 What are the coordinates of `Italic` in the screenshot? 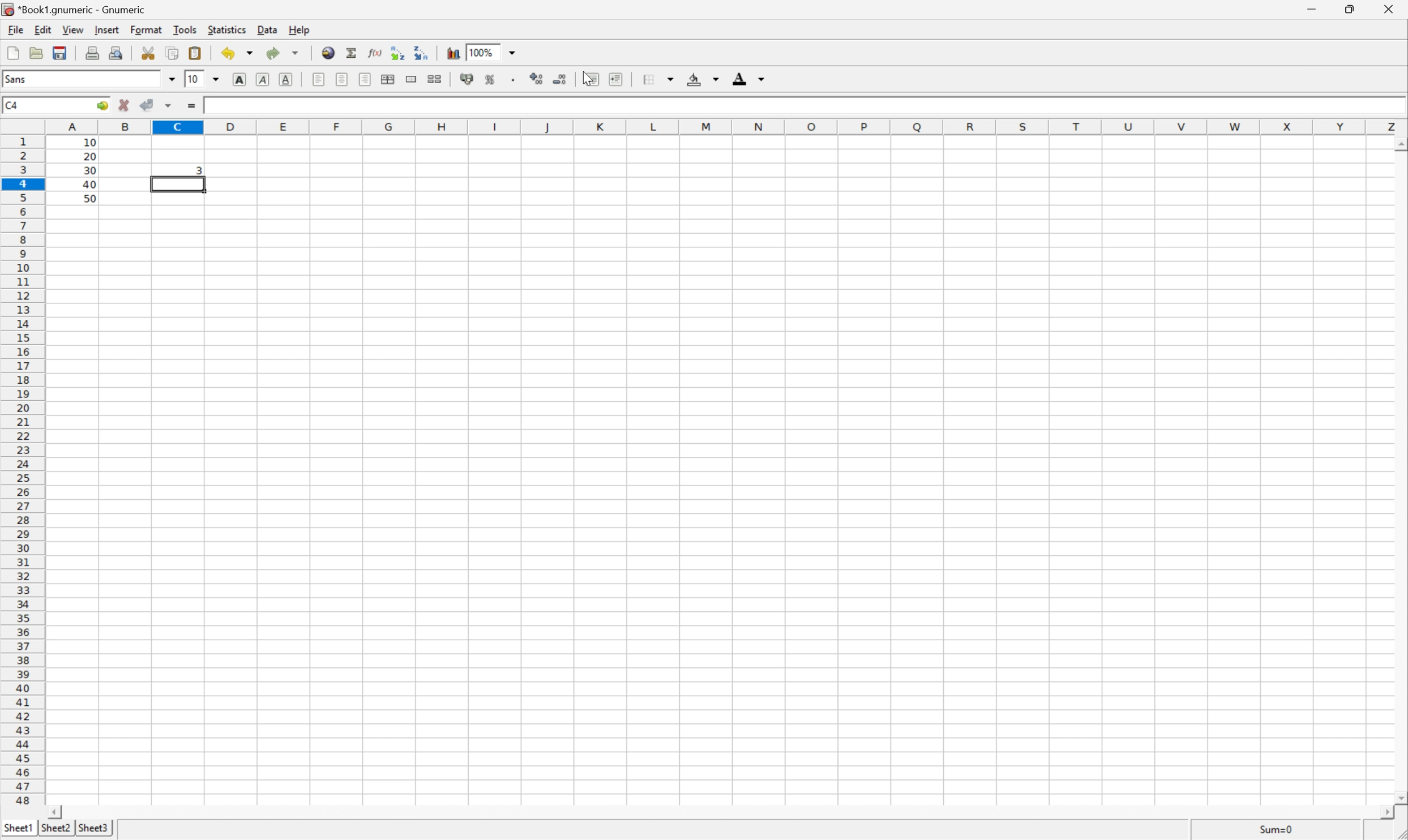 It's located at (264, 79).